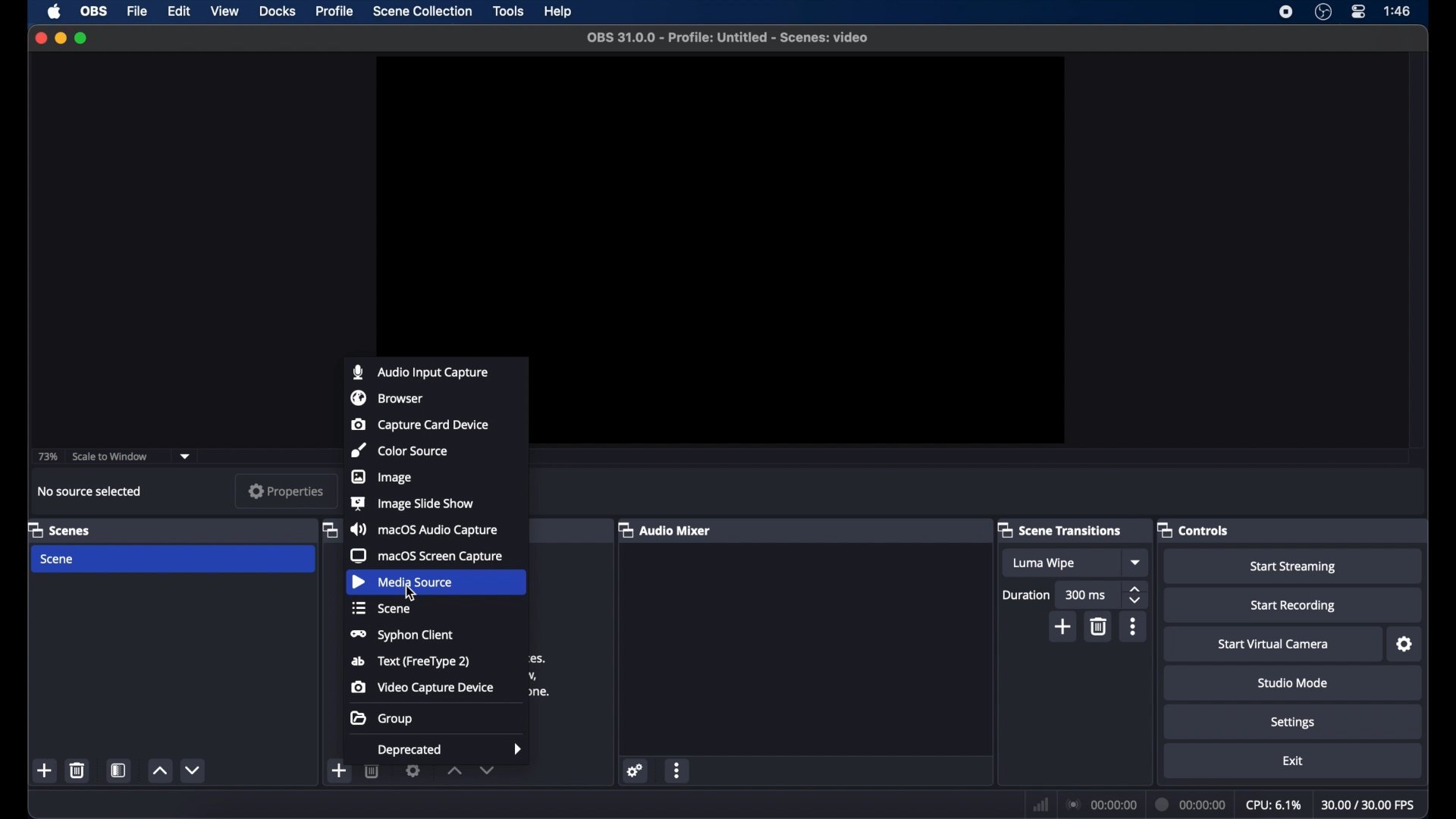 Image resolution: width=1456 pixels, height=819 pixels. I want to click on fps, so click(1370, 805).